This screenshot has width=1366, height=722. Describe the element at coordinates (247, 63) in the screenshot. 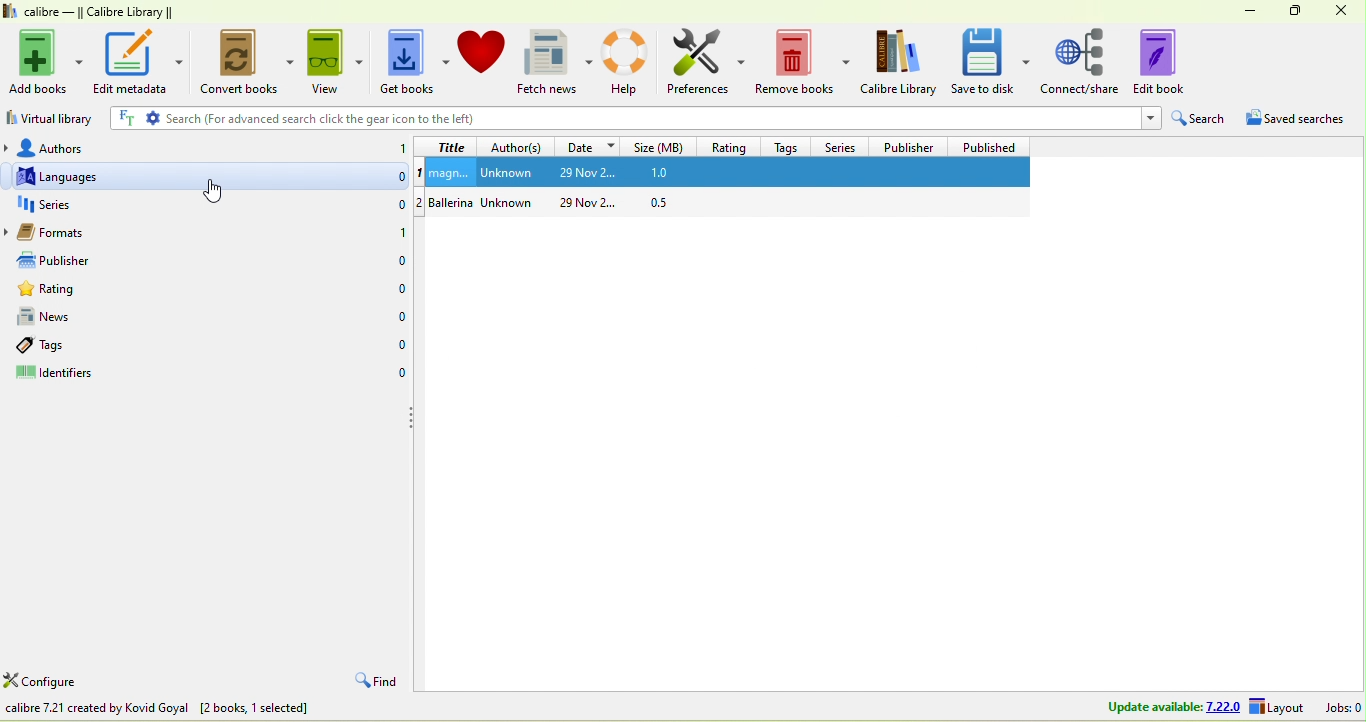

I see `convert books` at that location.